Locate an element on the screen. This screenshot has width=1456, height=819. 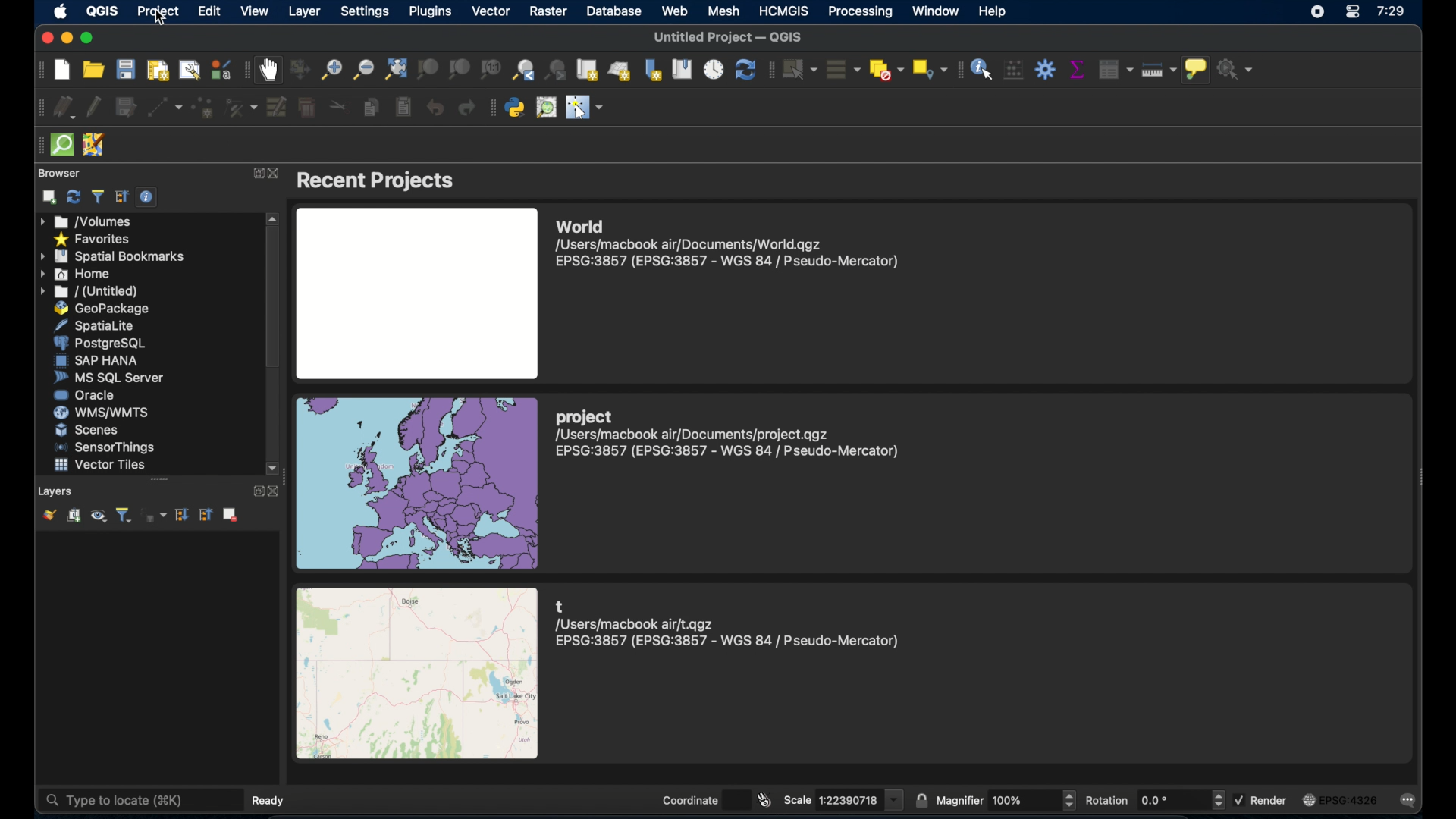
EPSG:3857 (EPSG:3857 - WGS 84 | Pseudo-Mercator) is located at coordinates (730, 642).